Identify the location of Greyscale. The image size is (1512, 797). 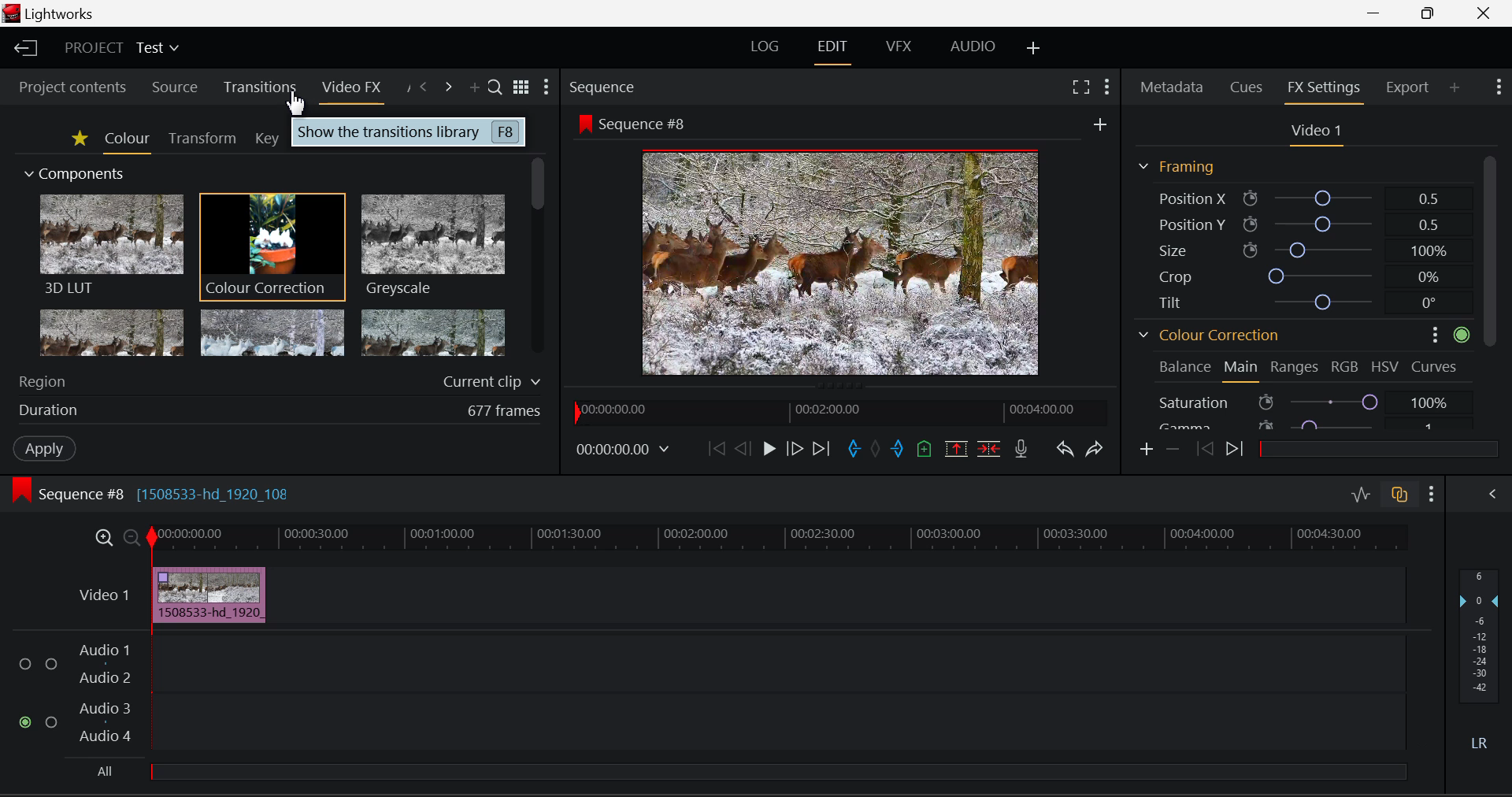
(431, 247).